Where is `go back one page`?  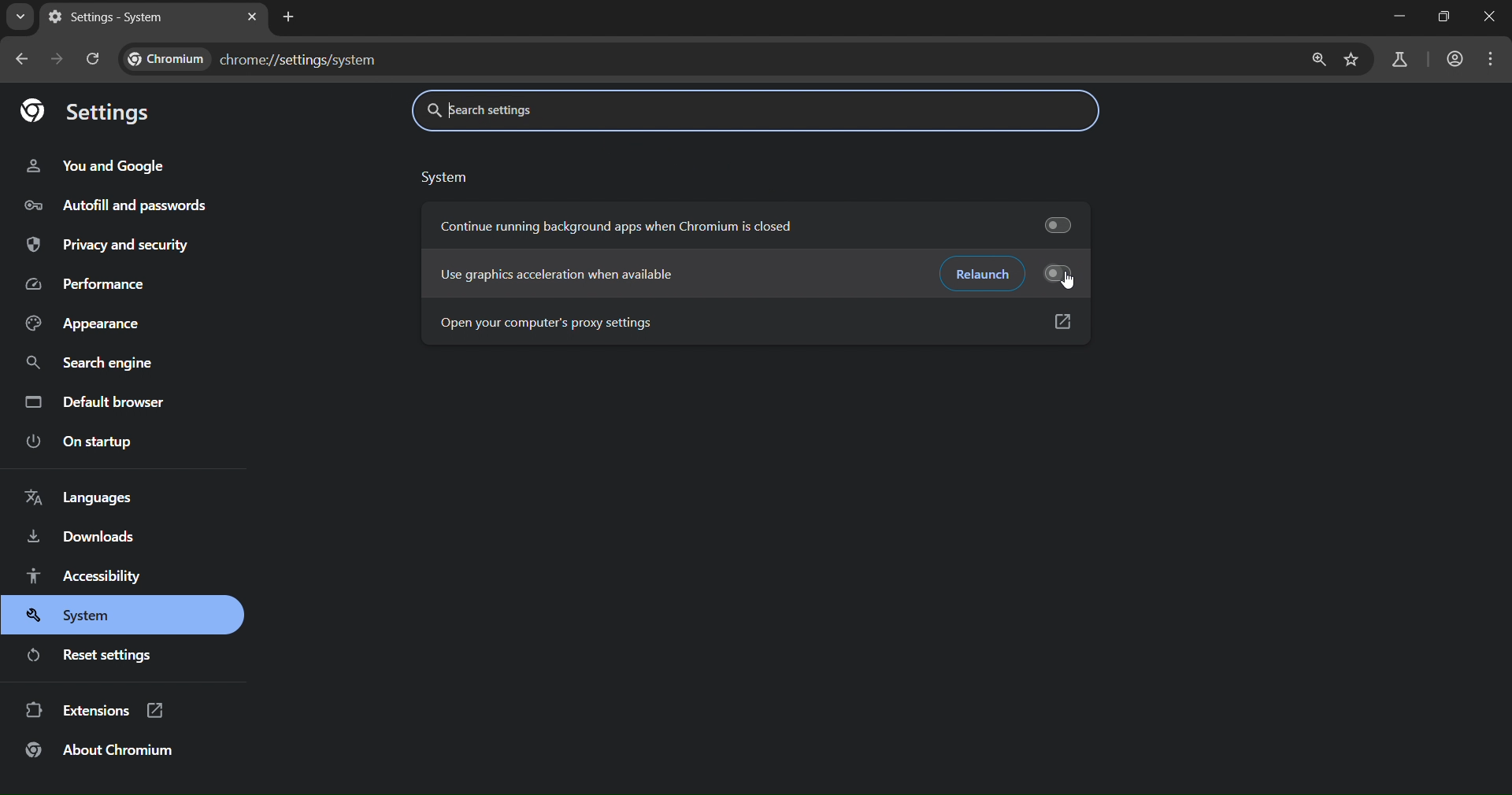
go back one page is located at coordinates (24, 60).